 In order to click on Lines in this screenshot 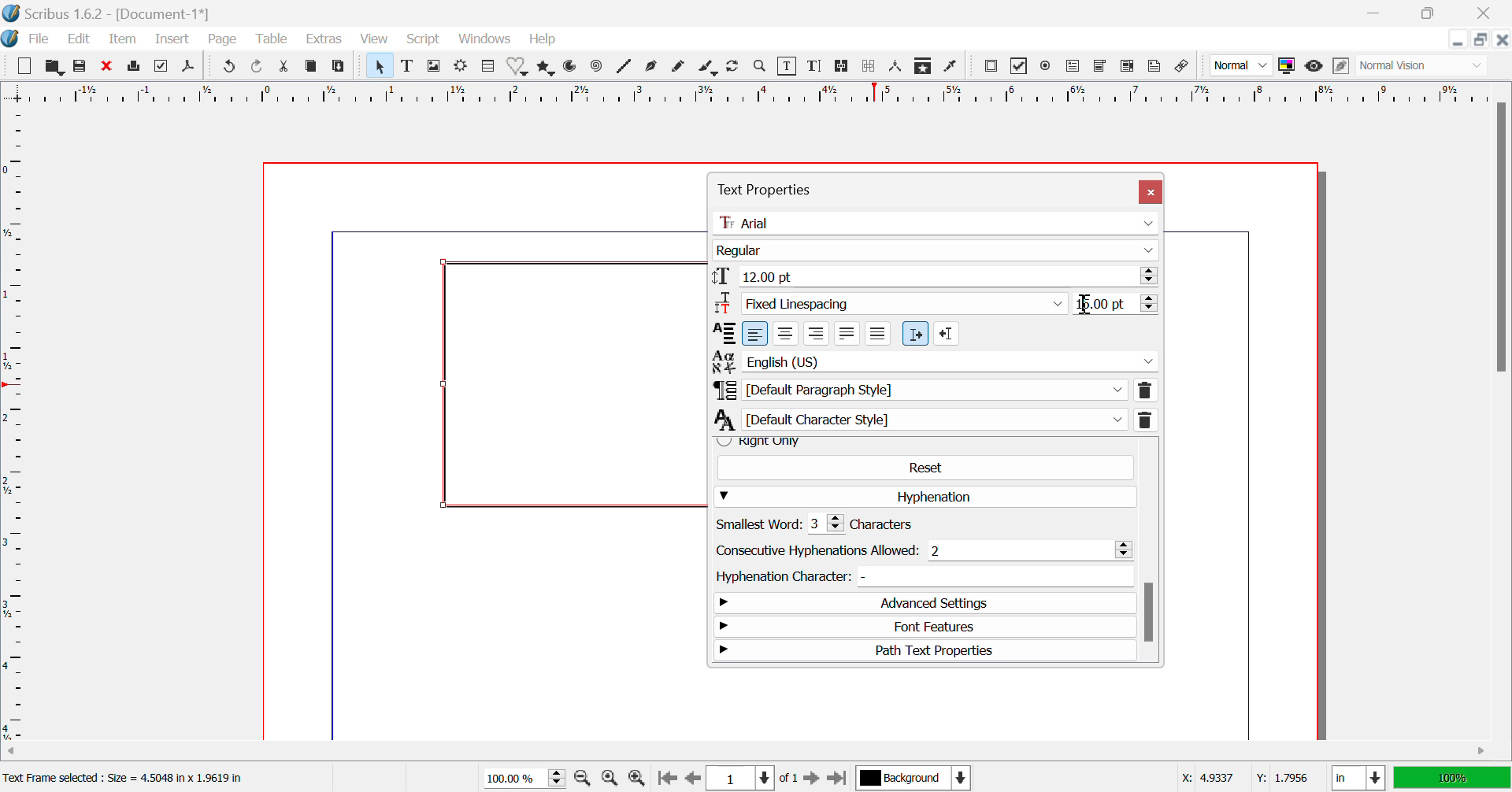, I will do `click(624, 68)`.